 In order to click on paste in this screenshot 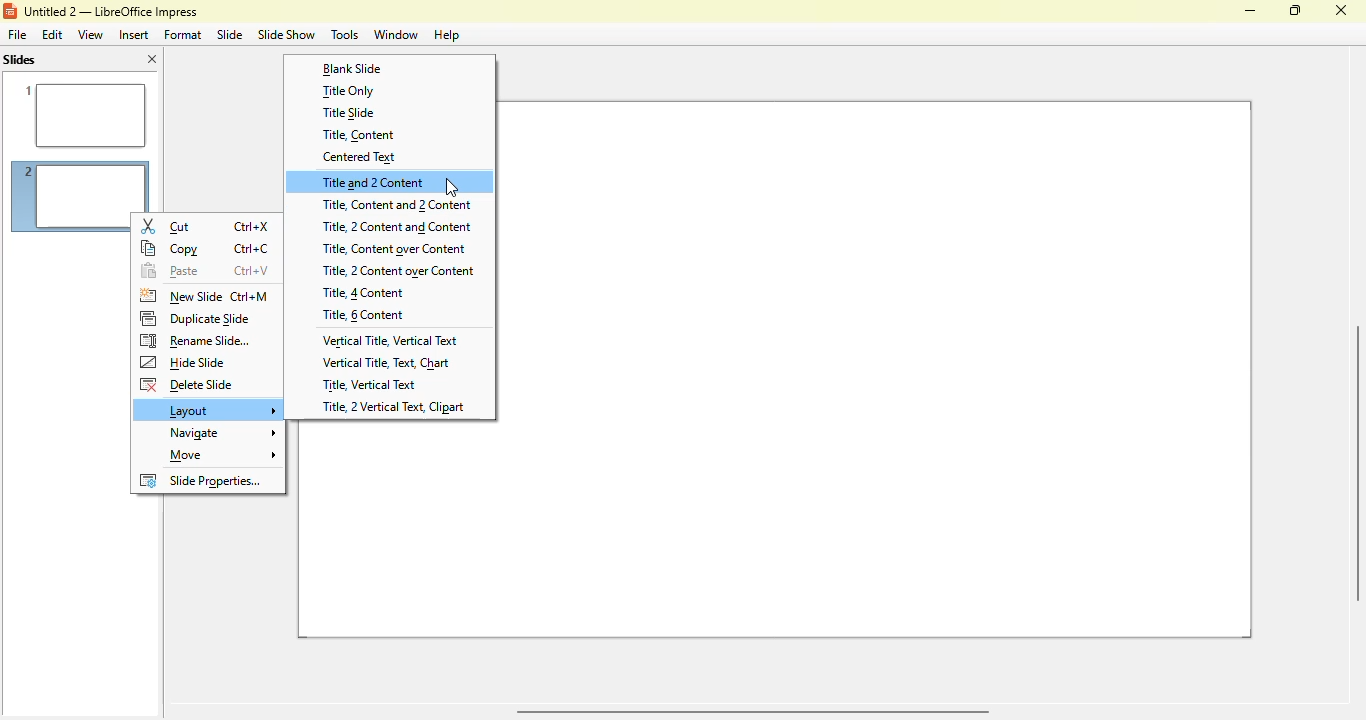, I will do `click(170, 271)`.